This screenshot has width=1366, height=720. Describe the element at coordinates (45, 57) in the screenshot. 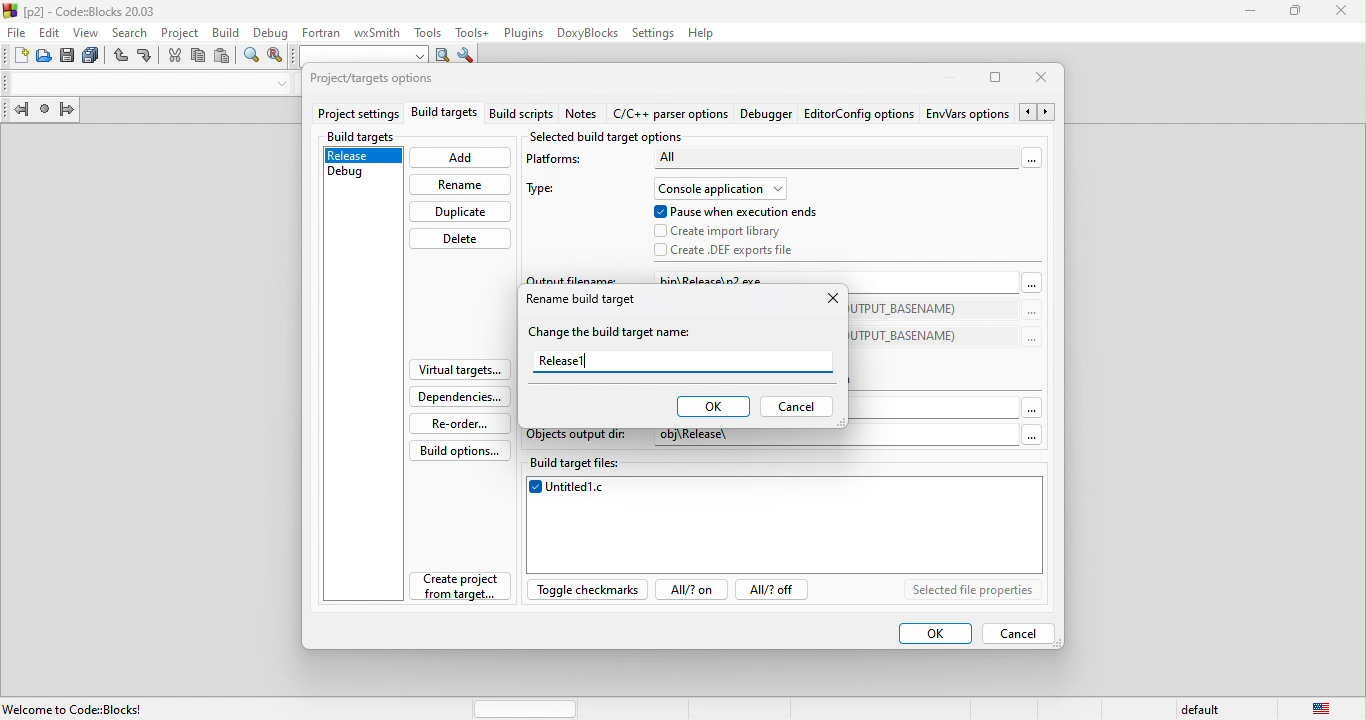

I see `open` at that location.